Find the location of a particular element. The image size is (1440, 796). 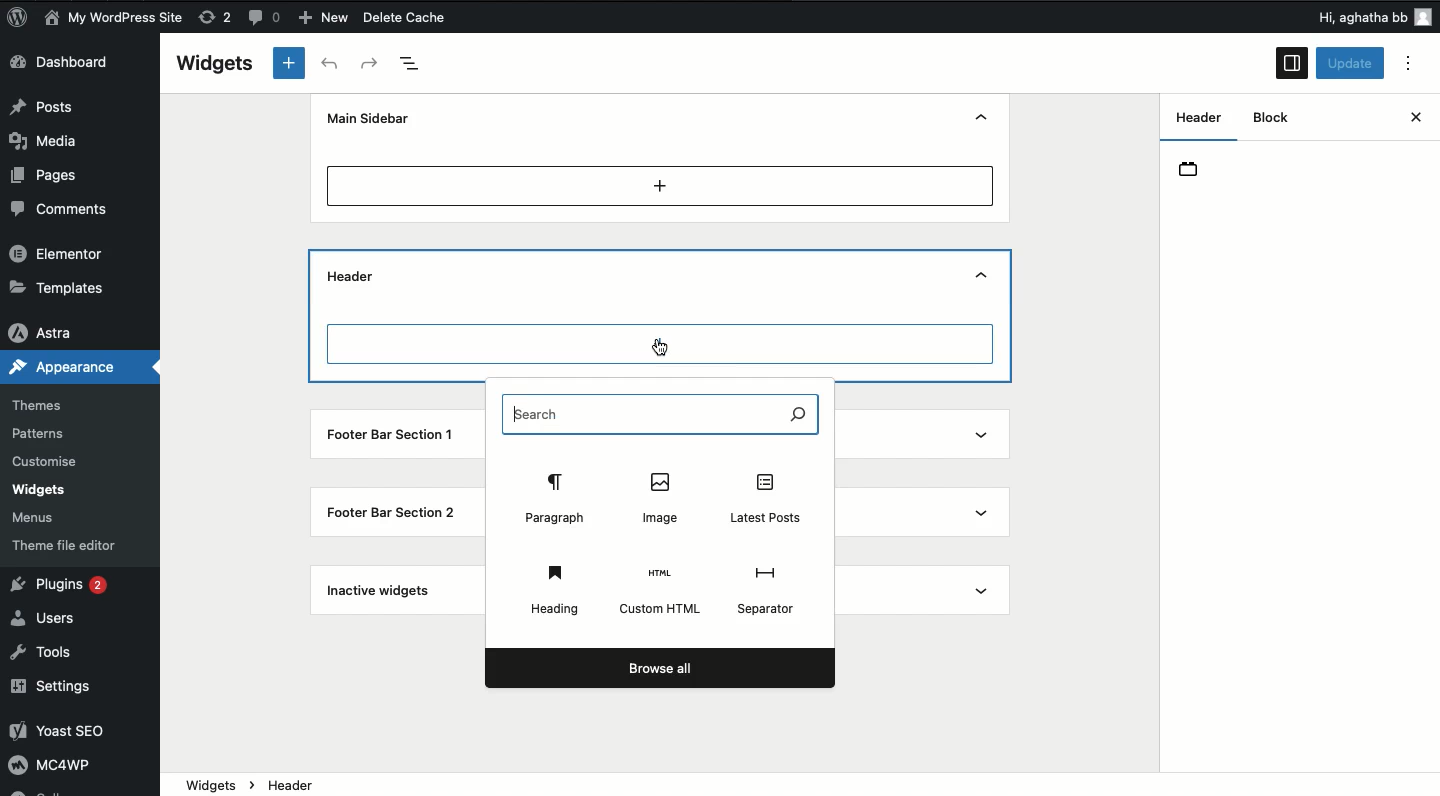

Close is located at coordinates (1396, 120).